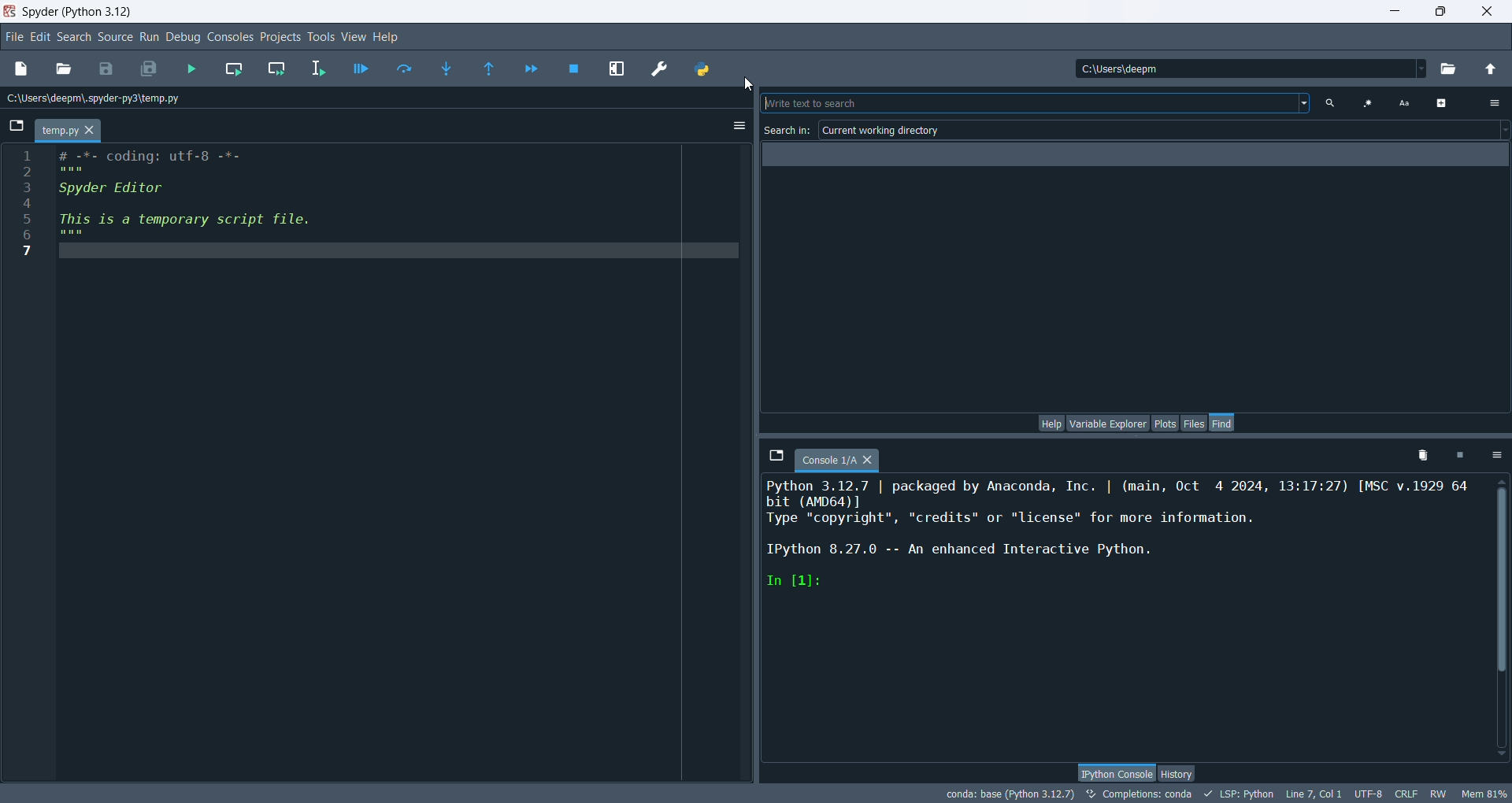  What do you see at coordinates (1049, 424) in the screenshot?
I see `help` at bounding box center [1049, 424].